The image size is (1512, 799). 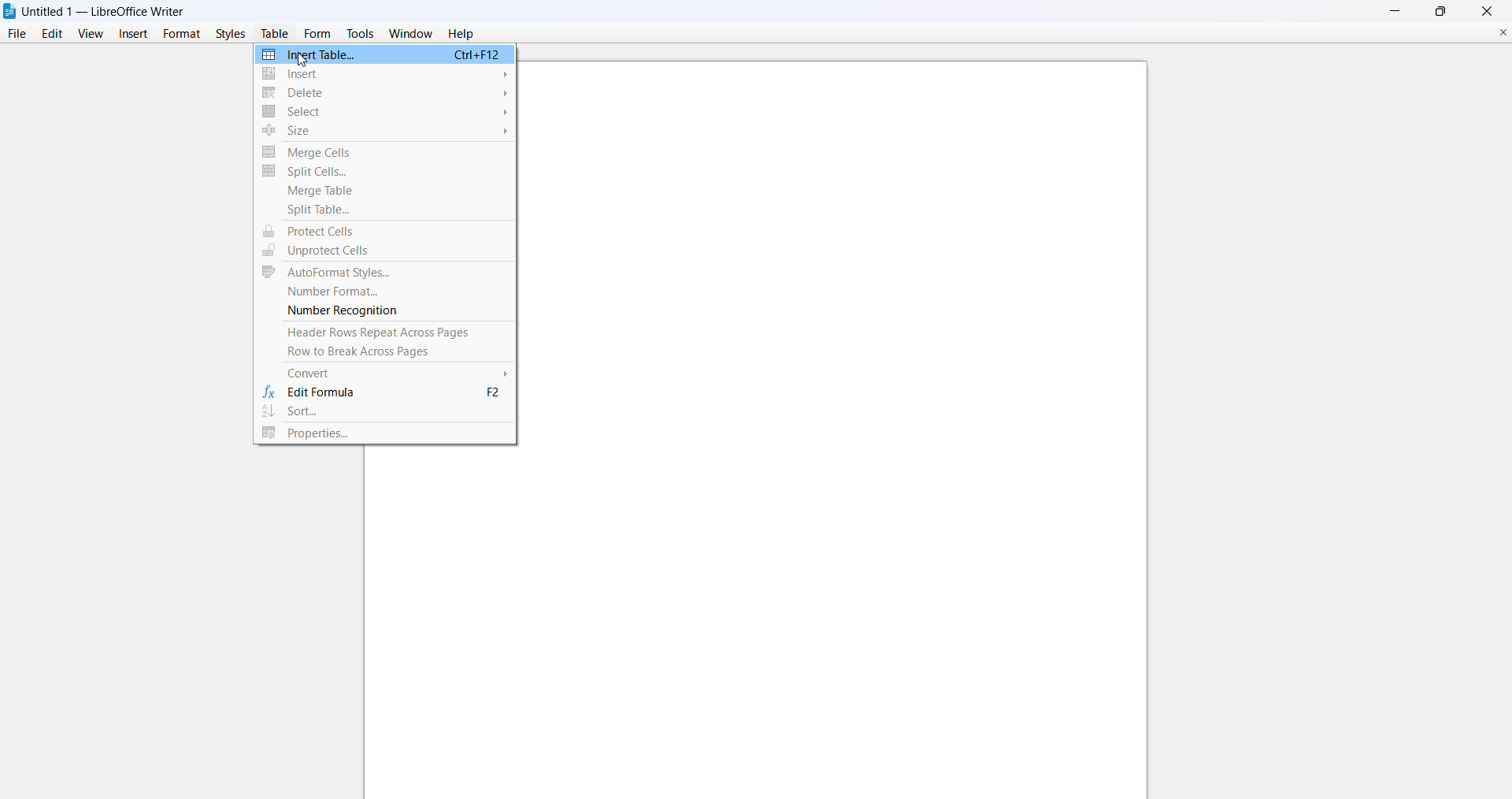 I want to click on | Untitled 1 — LibreOffice Writer, so click(x=106, y=10).